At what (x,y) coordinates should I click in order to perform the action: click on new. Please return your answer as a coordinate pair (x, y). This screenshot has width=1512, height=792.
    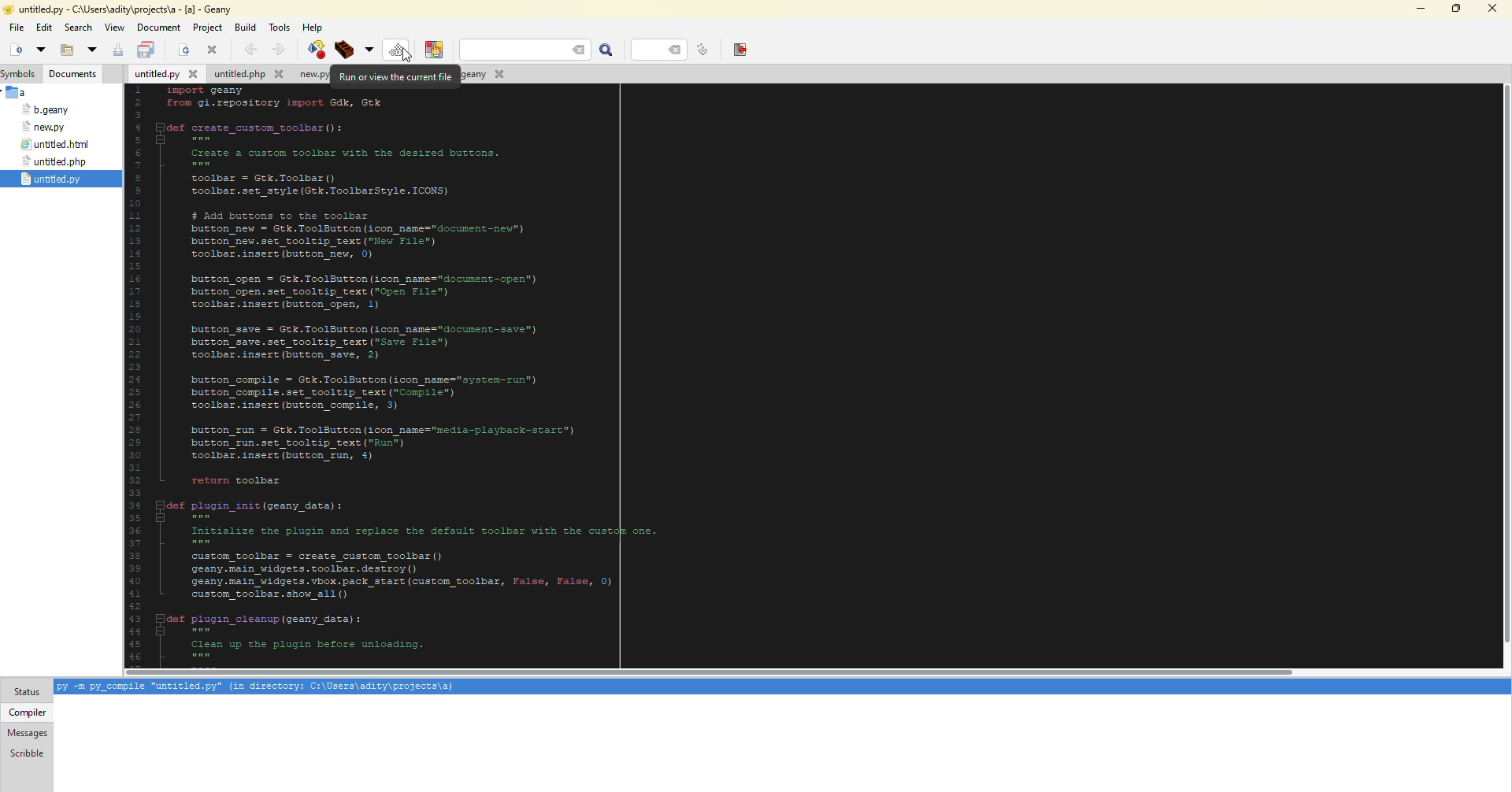
    Looking at the image, I should click on (15, 50).